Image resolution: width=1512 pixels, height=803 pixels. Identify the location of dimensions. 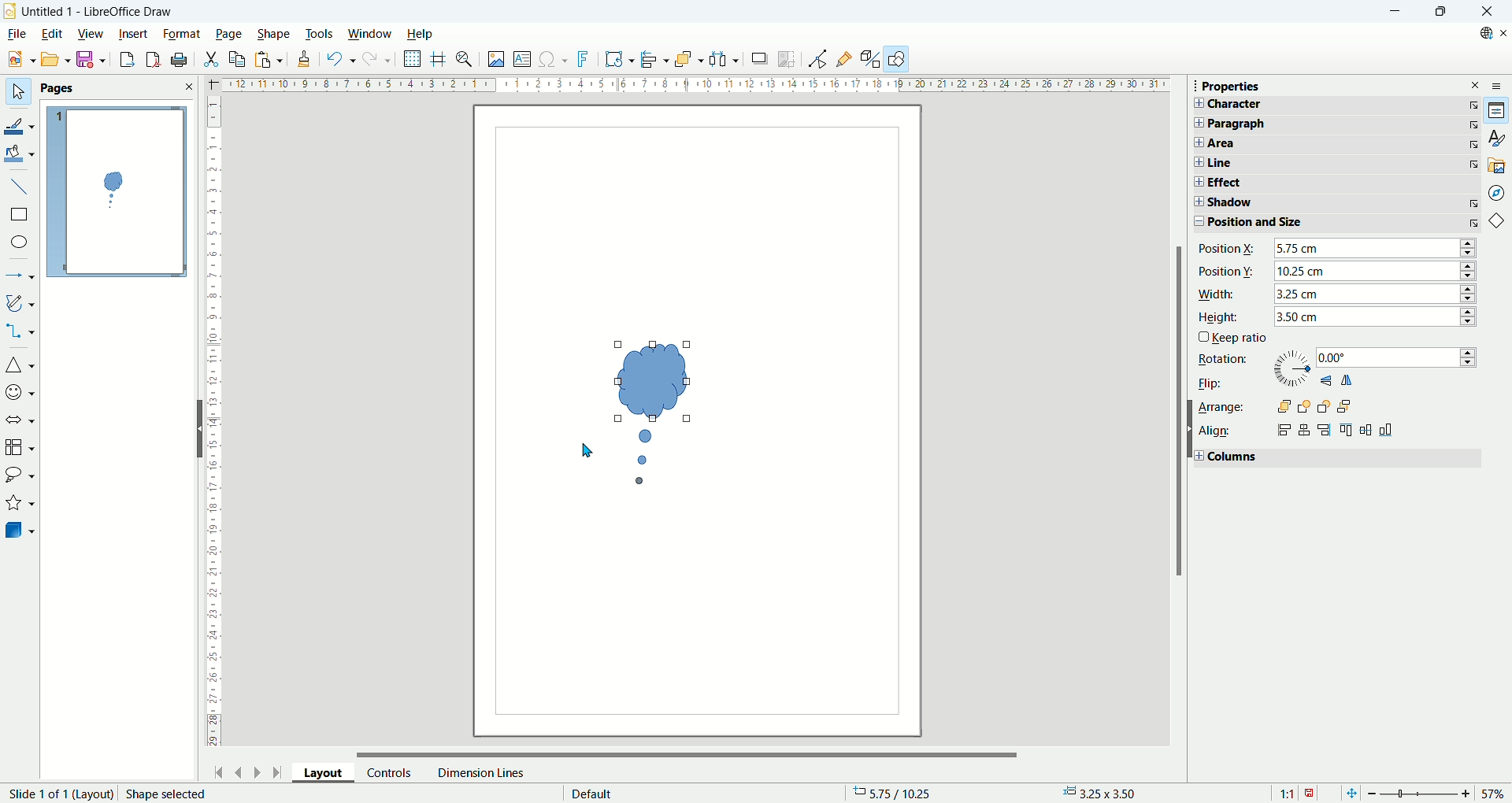
(1105, 793).